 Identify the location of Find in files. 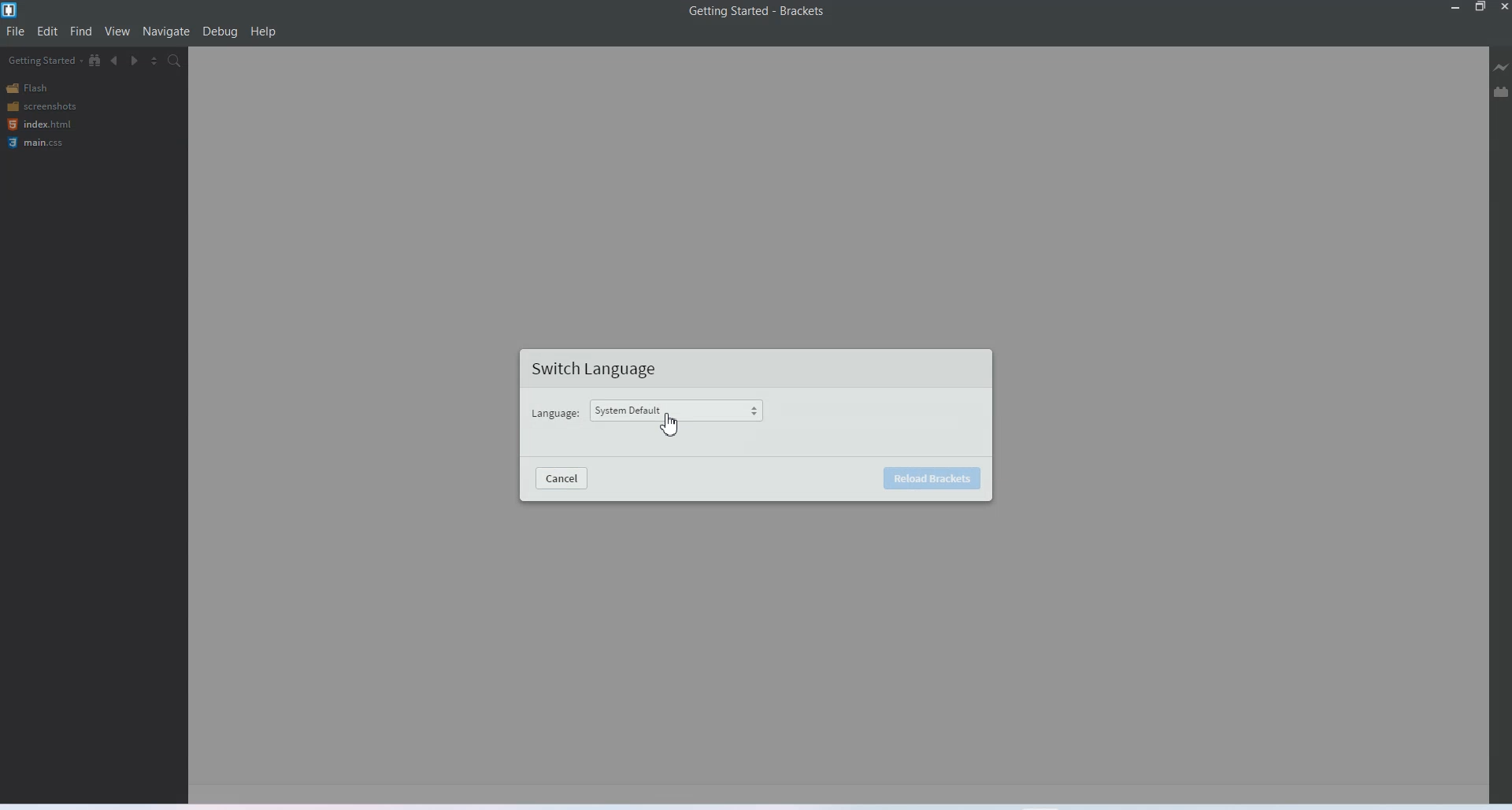
(176, 60).